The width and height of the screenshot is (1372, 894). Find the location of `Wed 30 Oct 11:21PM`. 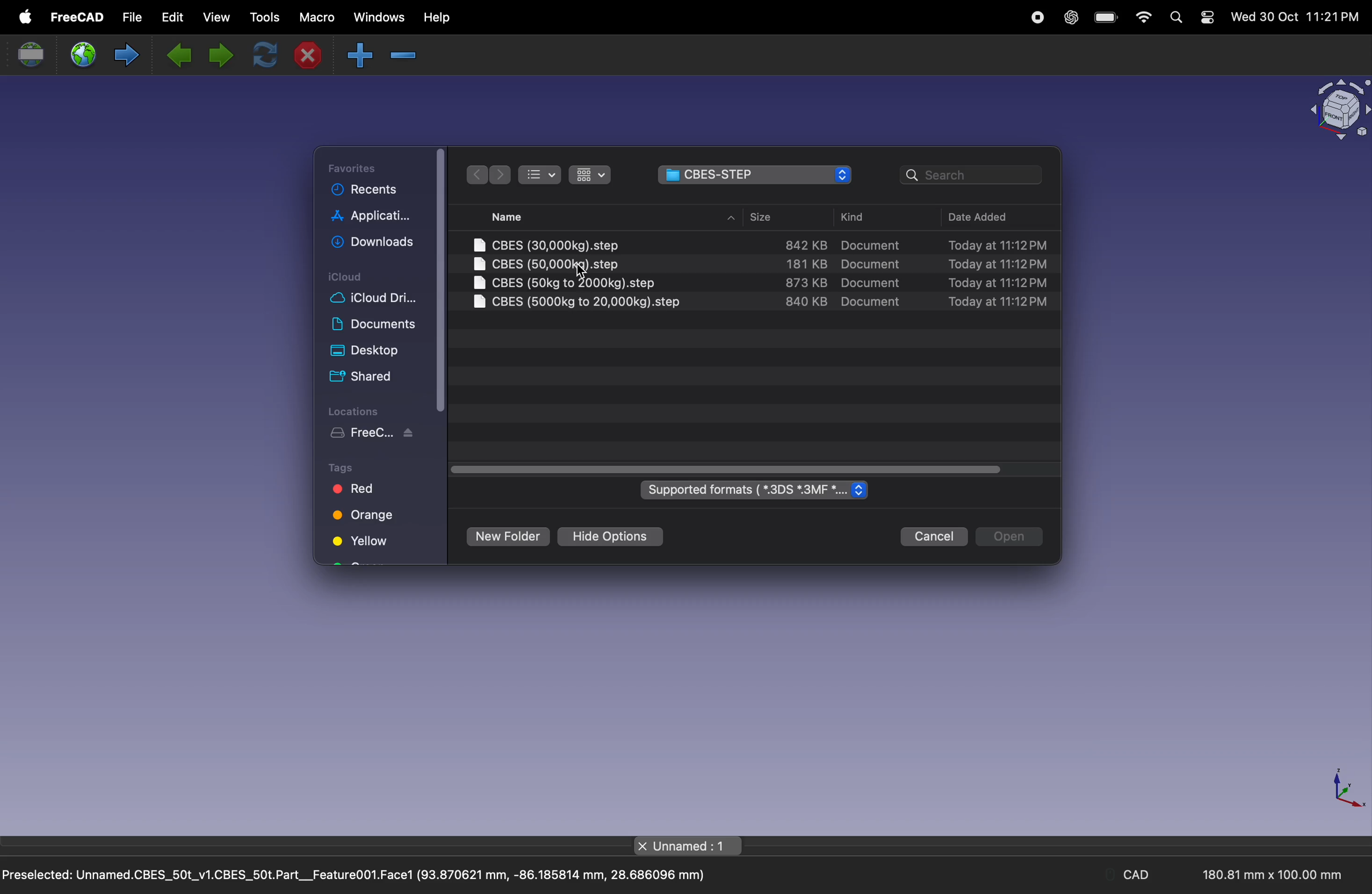

Wed 30 Oct 11:21PM is located at coordinates (1295, 17).